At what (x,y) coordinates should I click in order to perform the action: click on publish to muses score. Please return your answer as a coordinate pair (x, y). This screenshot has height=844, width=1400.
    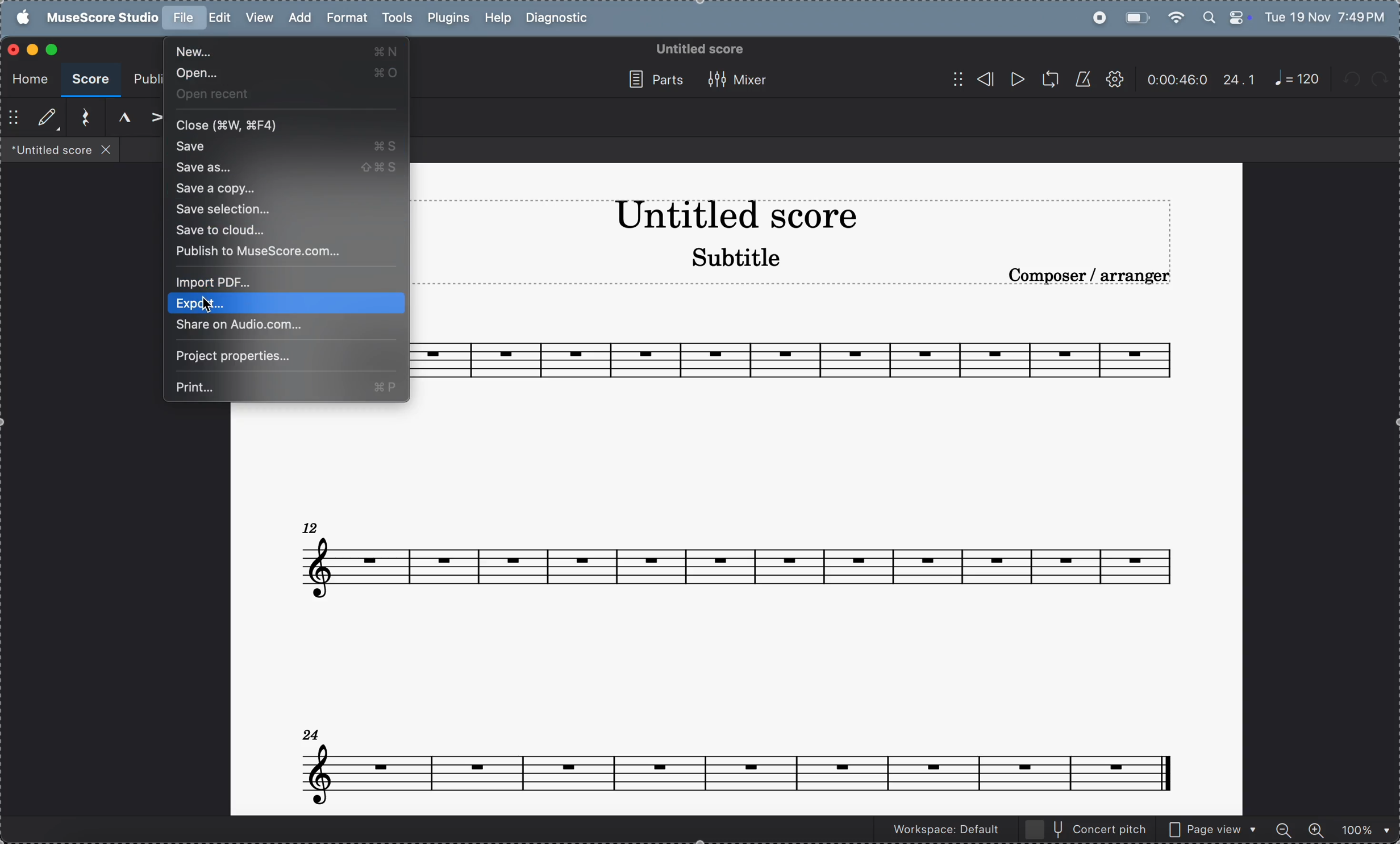
    Looking at the image, I should click on (286, 252).